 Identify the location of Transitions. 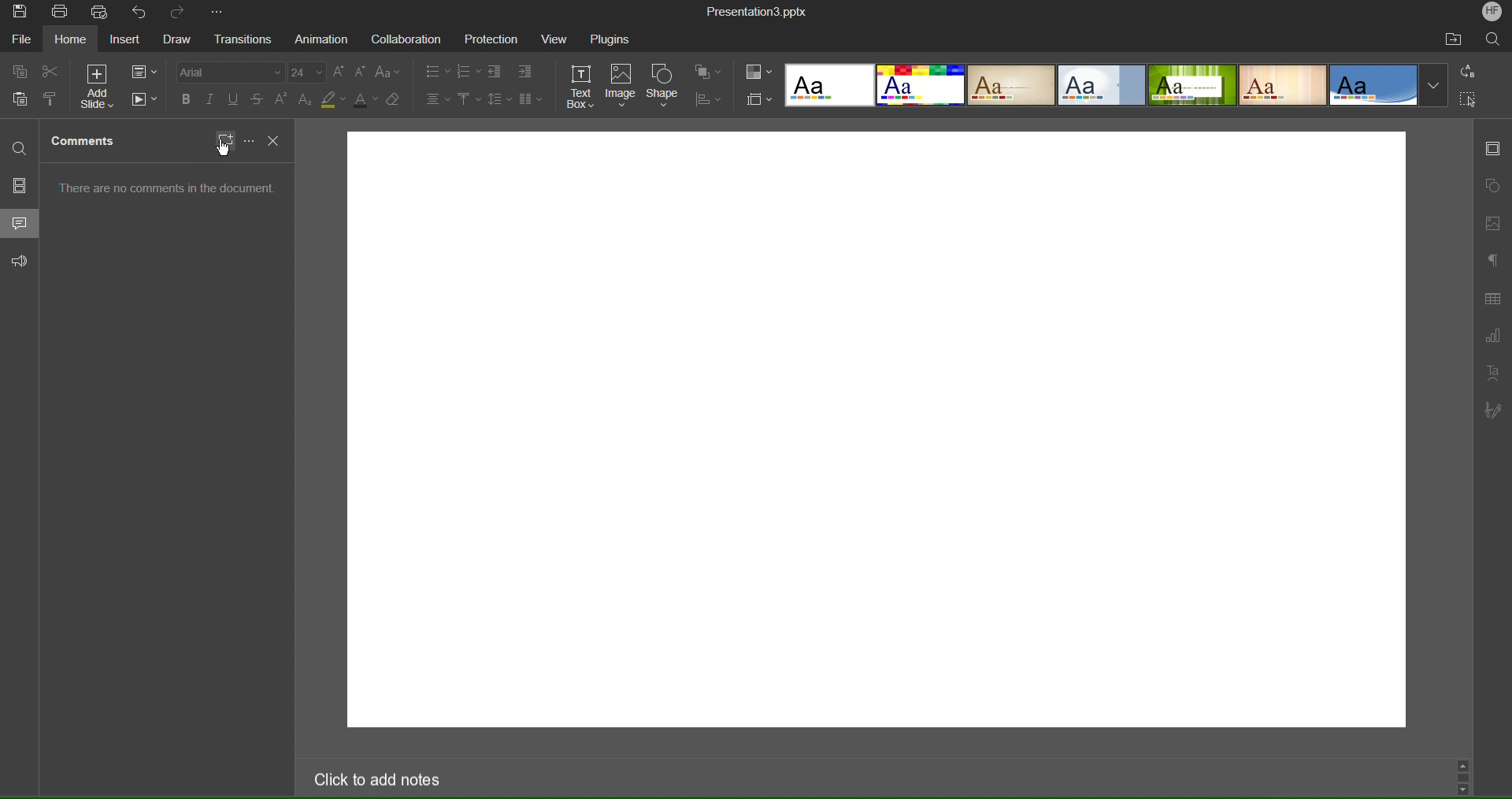
(243, 39).